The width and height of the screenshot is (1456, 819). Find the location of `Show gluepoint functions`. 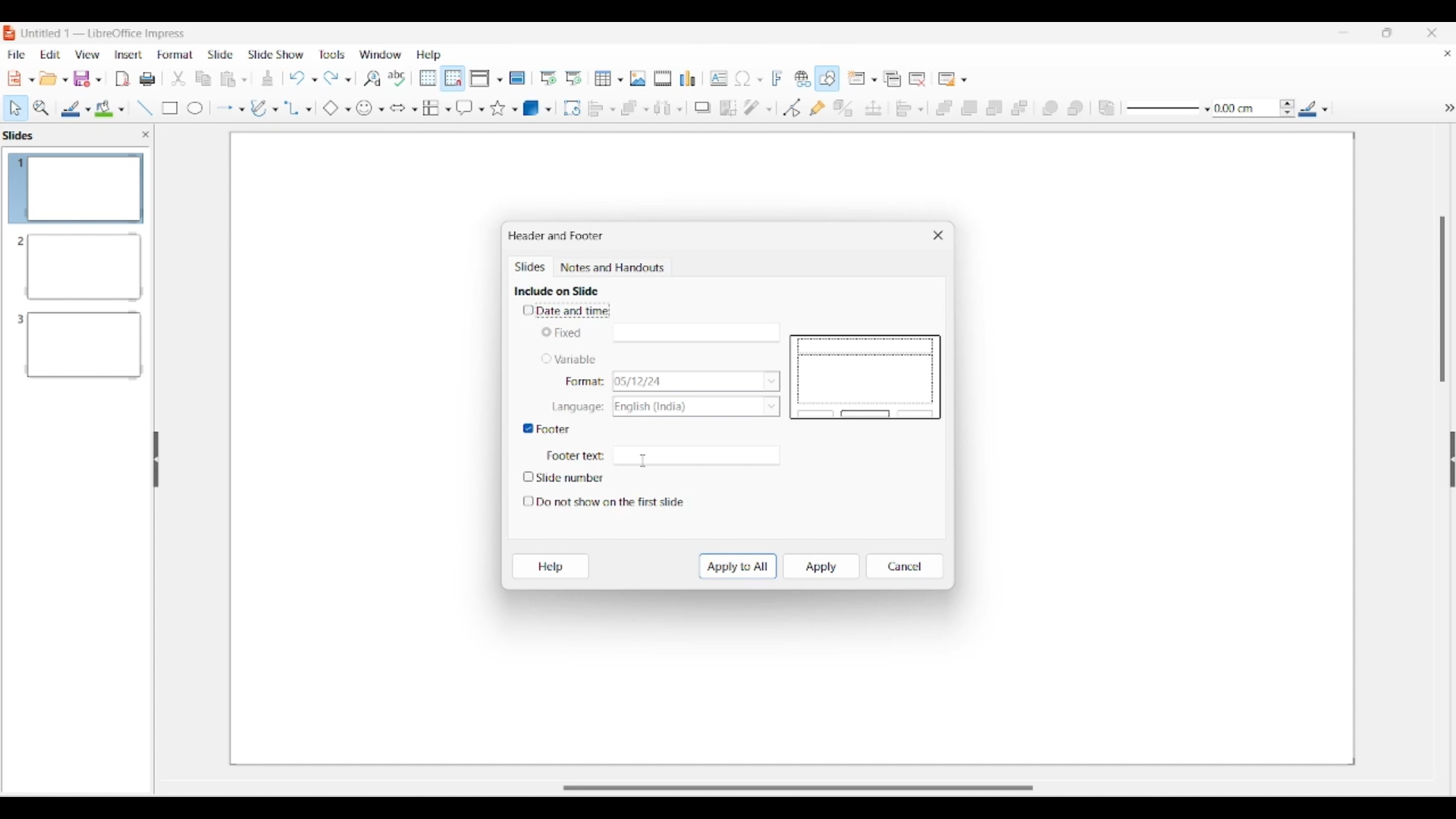

Show gluepoint functions is located at coordinates (817, 108).